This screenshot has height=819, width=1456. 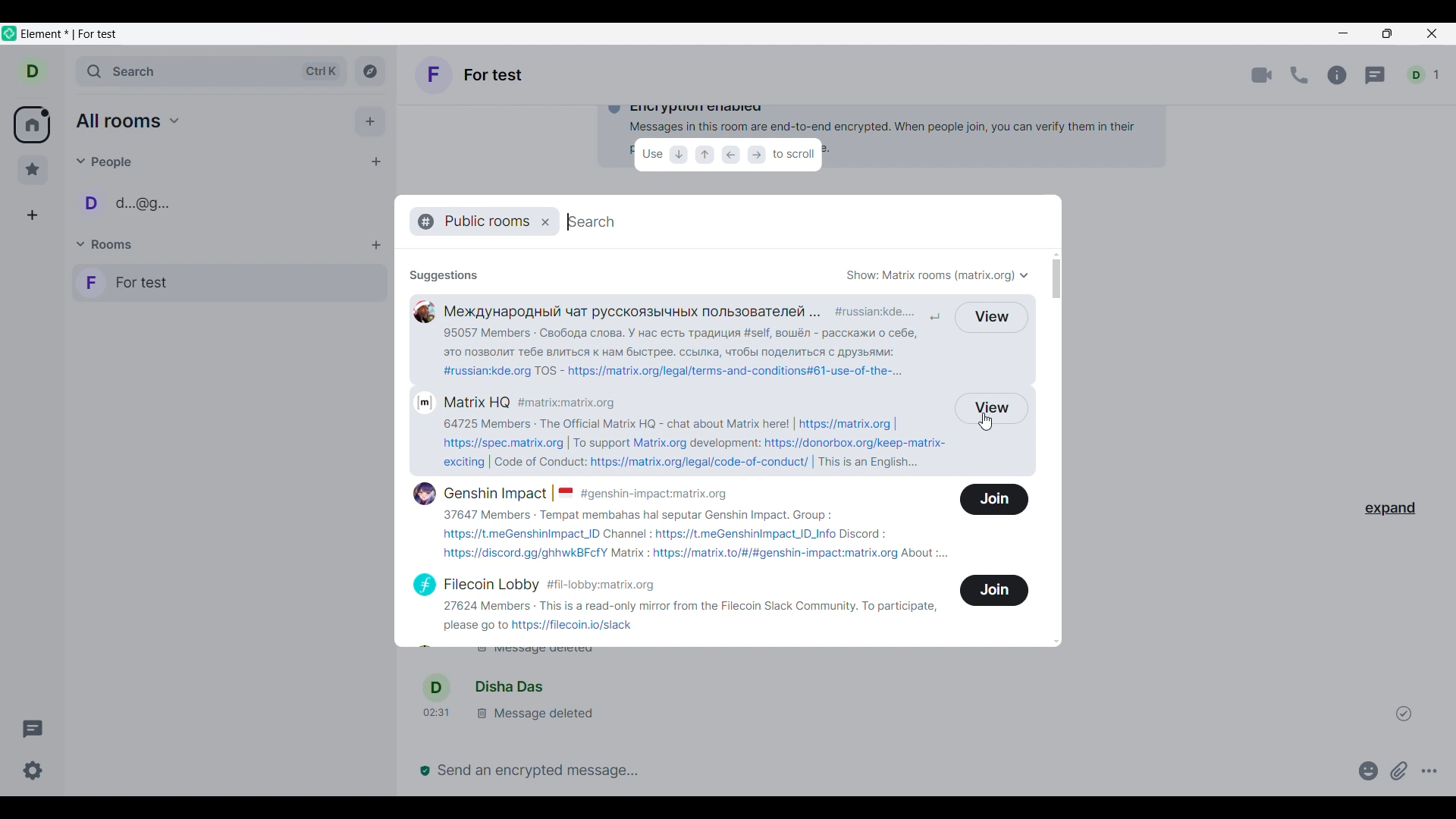 I want to click on room options, so click(x=376, y=246).